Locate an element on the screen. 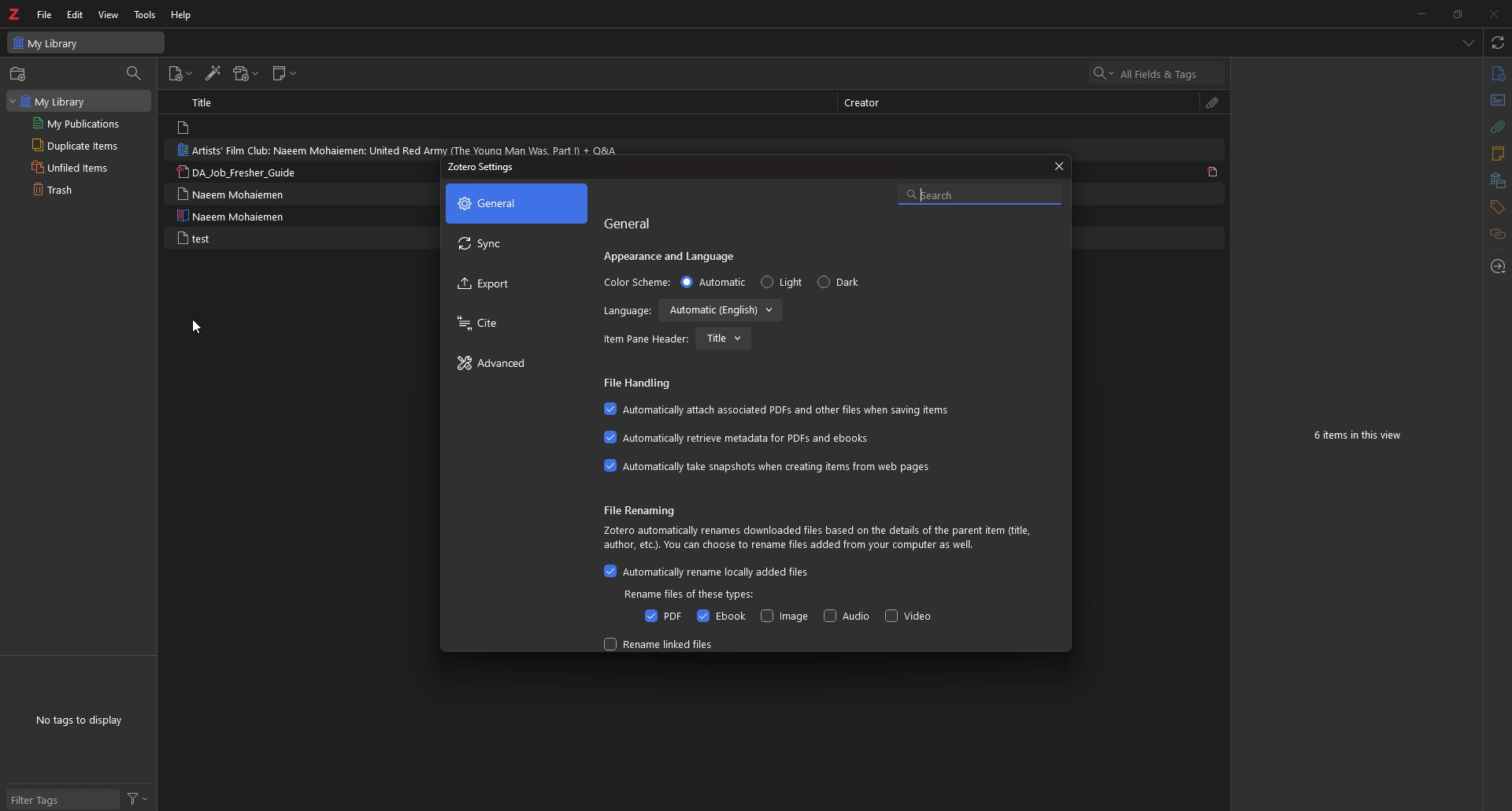 This screenshot has height=811, width=1512. minimize is located at coordinates (1420, 13).